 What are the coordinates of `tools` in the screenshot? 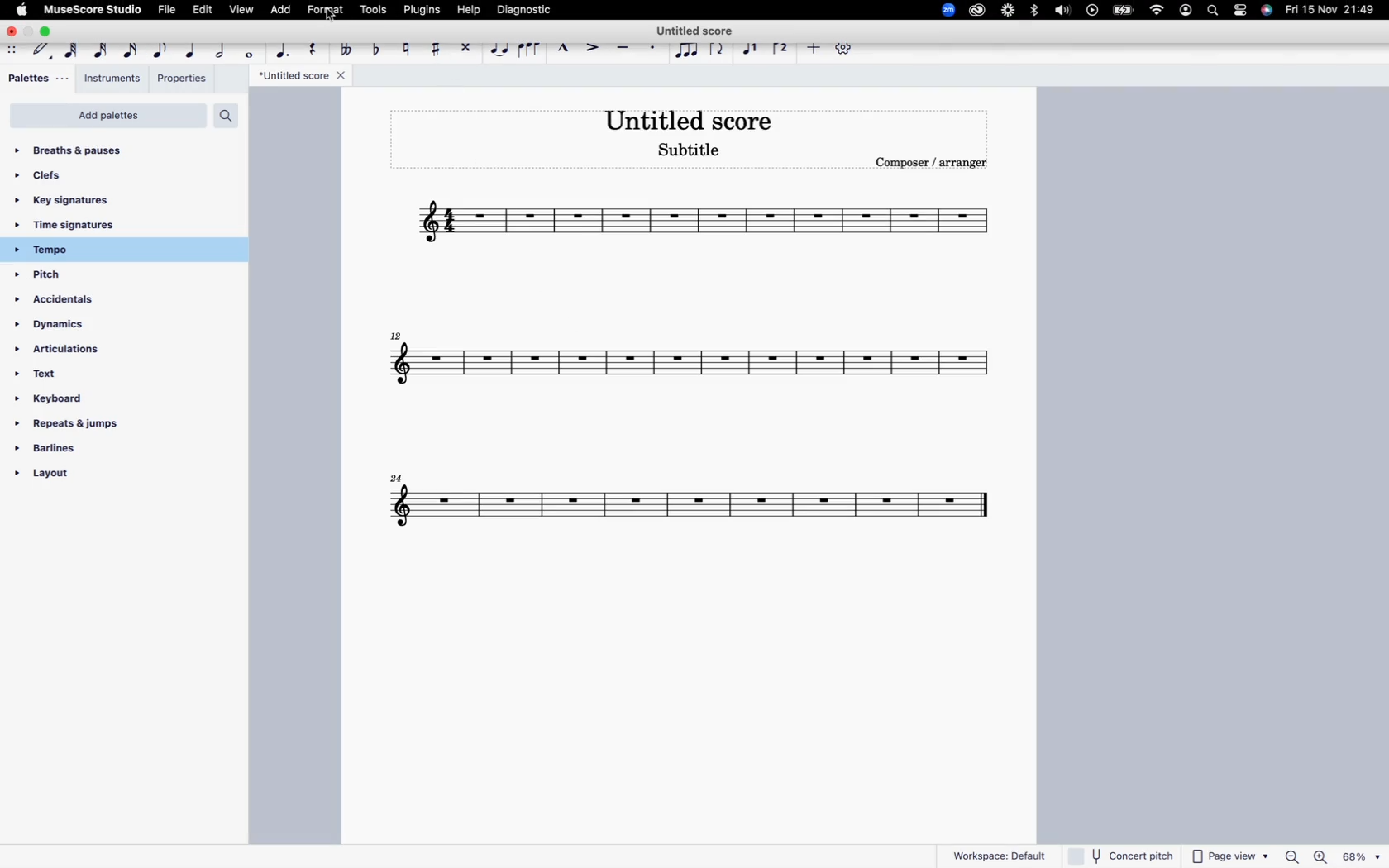 It's located at (375, 11).